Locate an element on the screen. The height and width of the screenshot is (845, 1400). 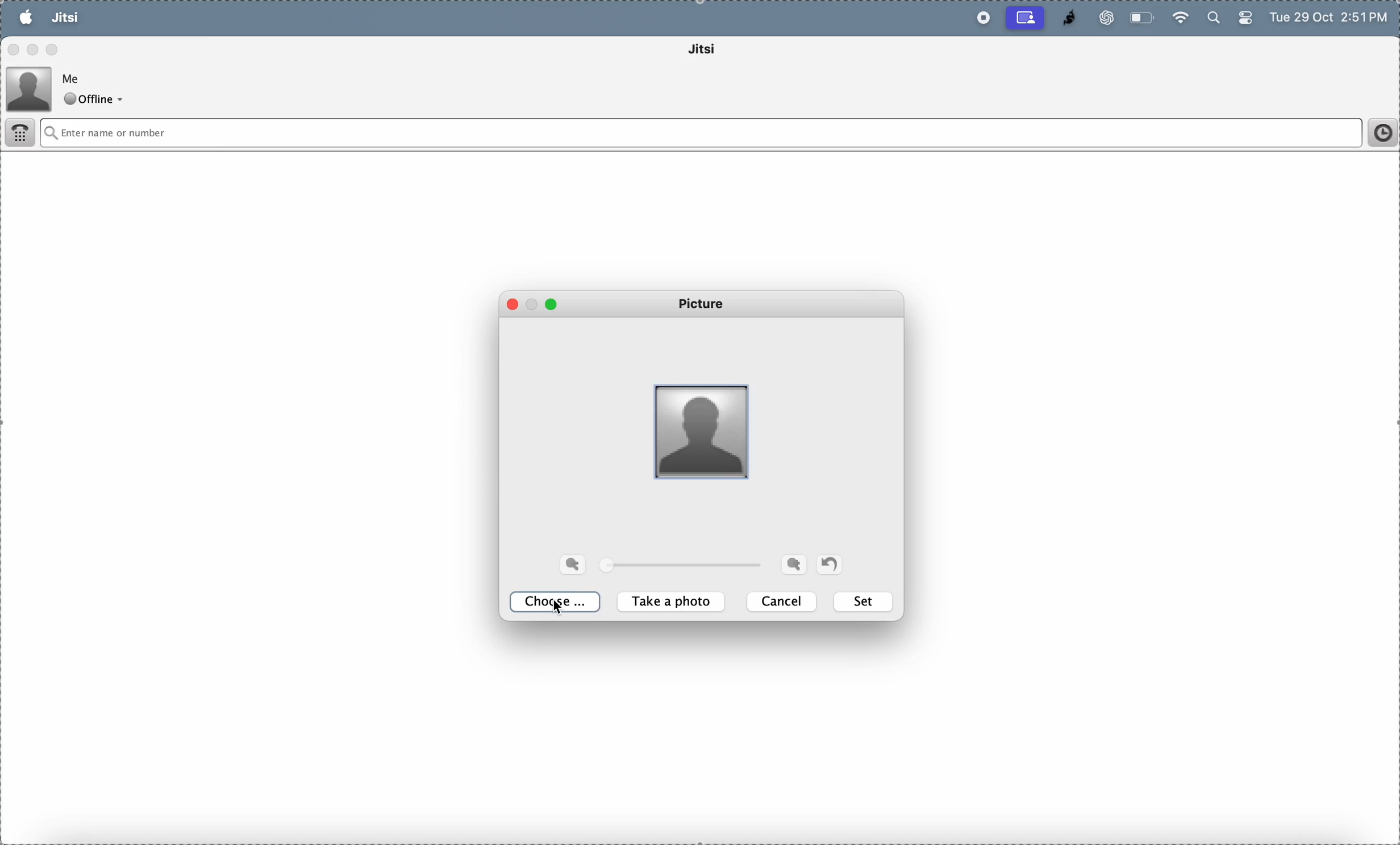
take a photo is located at coordinates (674, 603).